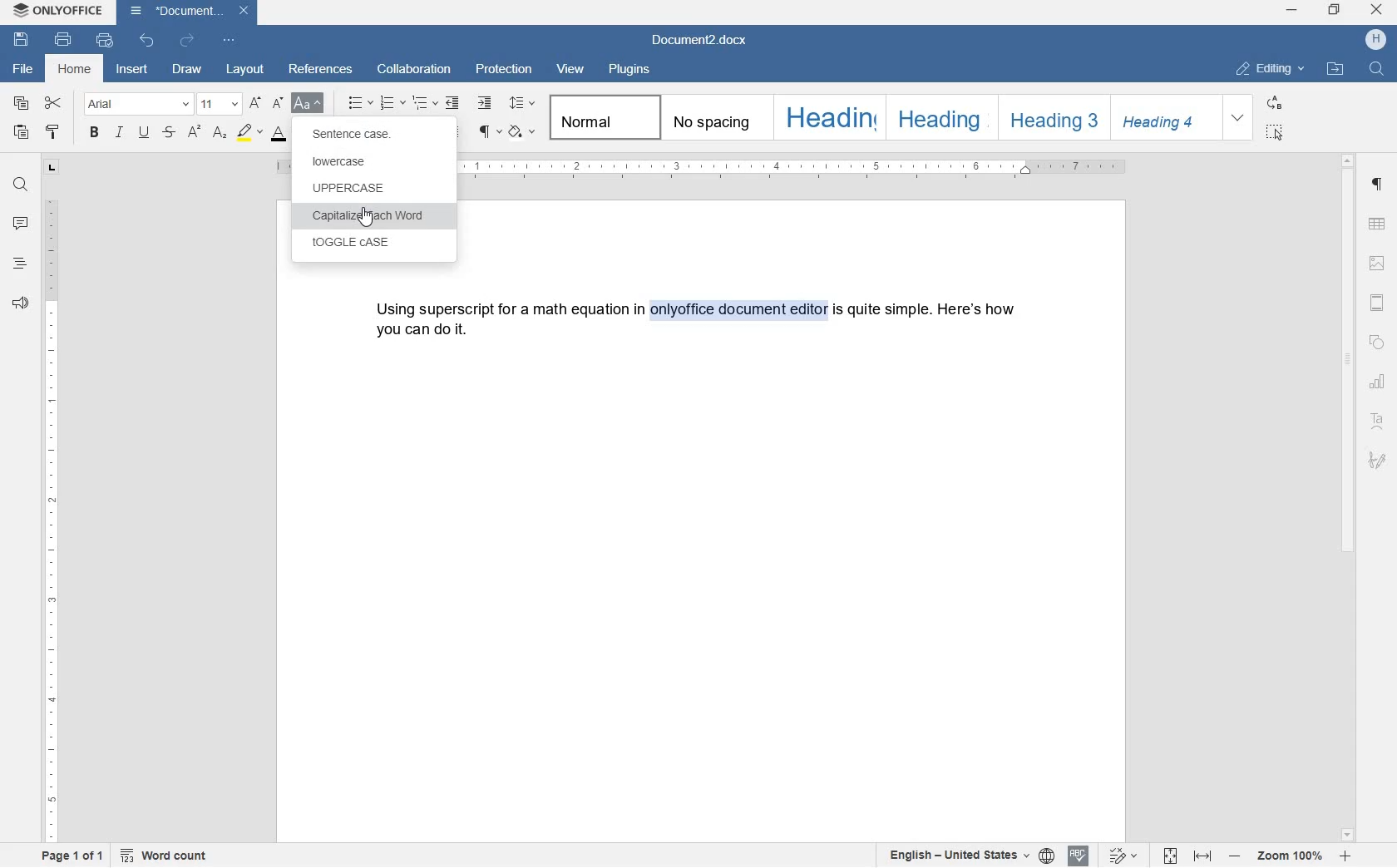 Image resolution: width=1397 pixels, height=868 pixels. Describe the element at coordinates (1272, 70) in the screenshot. I see `EDITING` at that location.